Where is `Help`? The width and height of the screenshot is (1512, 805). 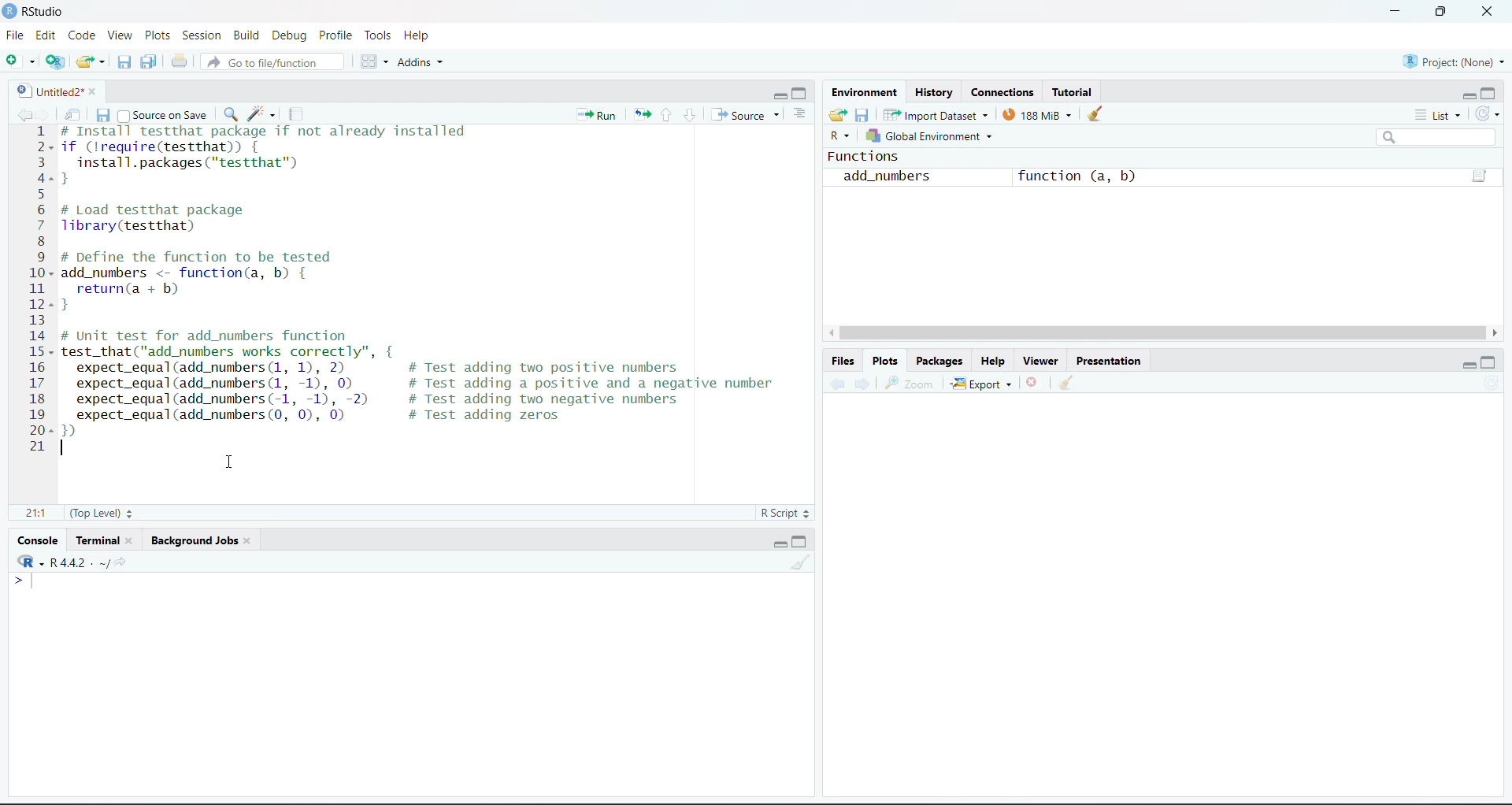 Help is located at coordinates (997, 361).